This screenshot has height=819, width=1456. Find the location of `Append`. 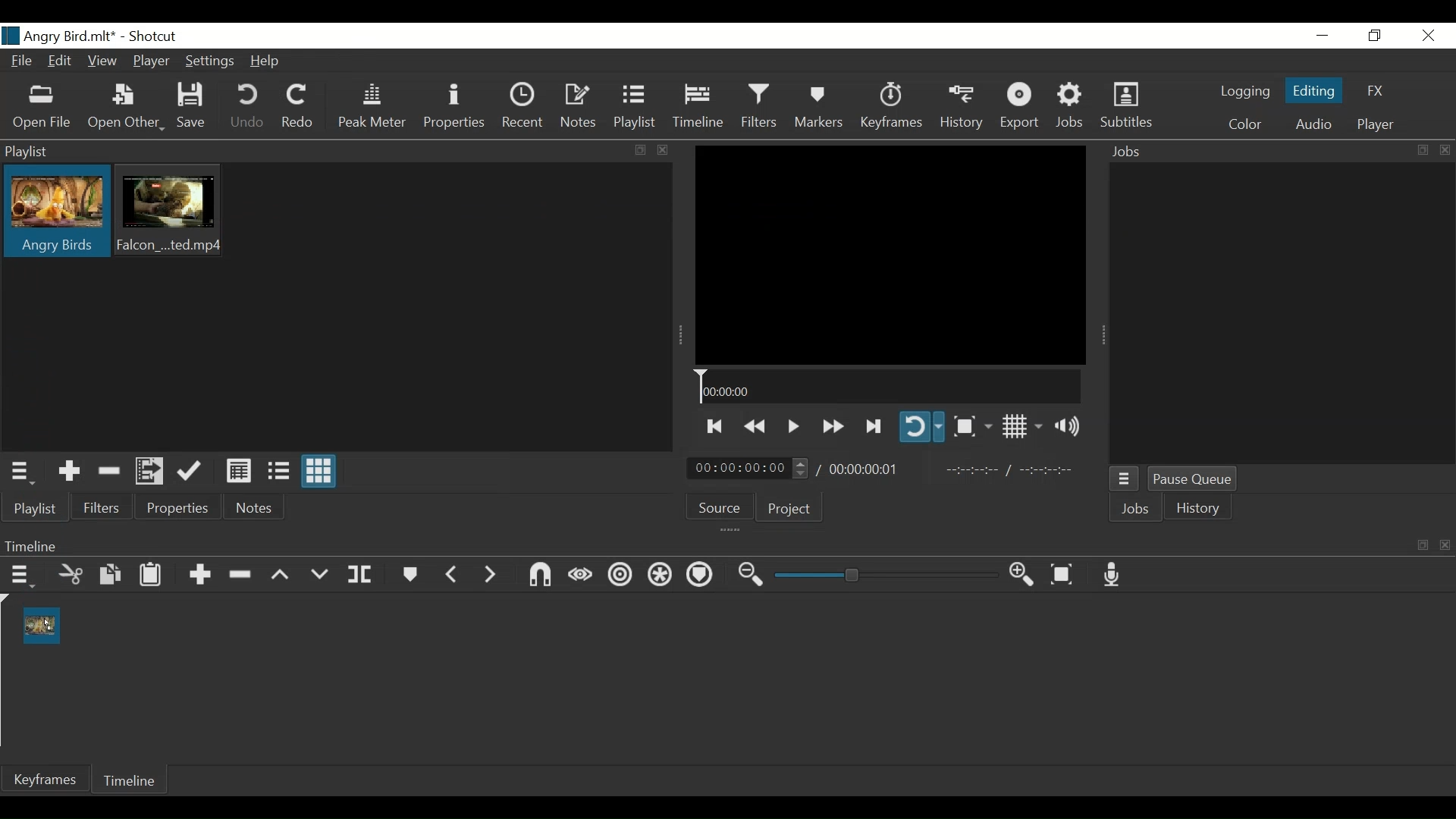

Append is located at coordinates (201, 573).